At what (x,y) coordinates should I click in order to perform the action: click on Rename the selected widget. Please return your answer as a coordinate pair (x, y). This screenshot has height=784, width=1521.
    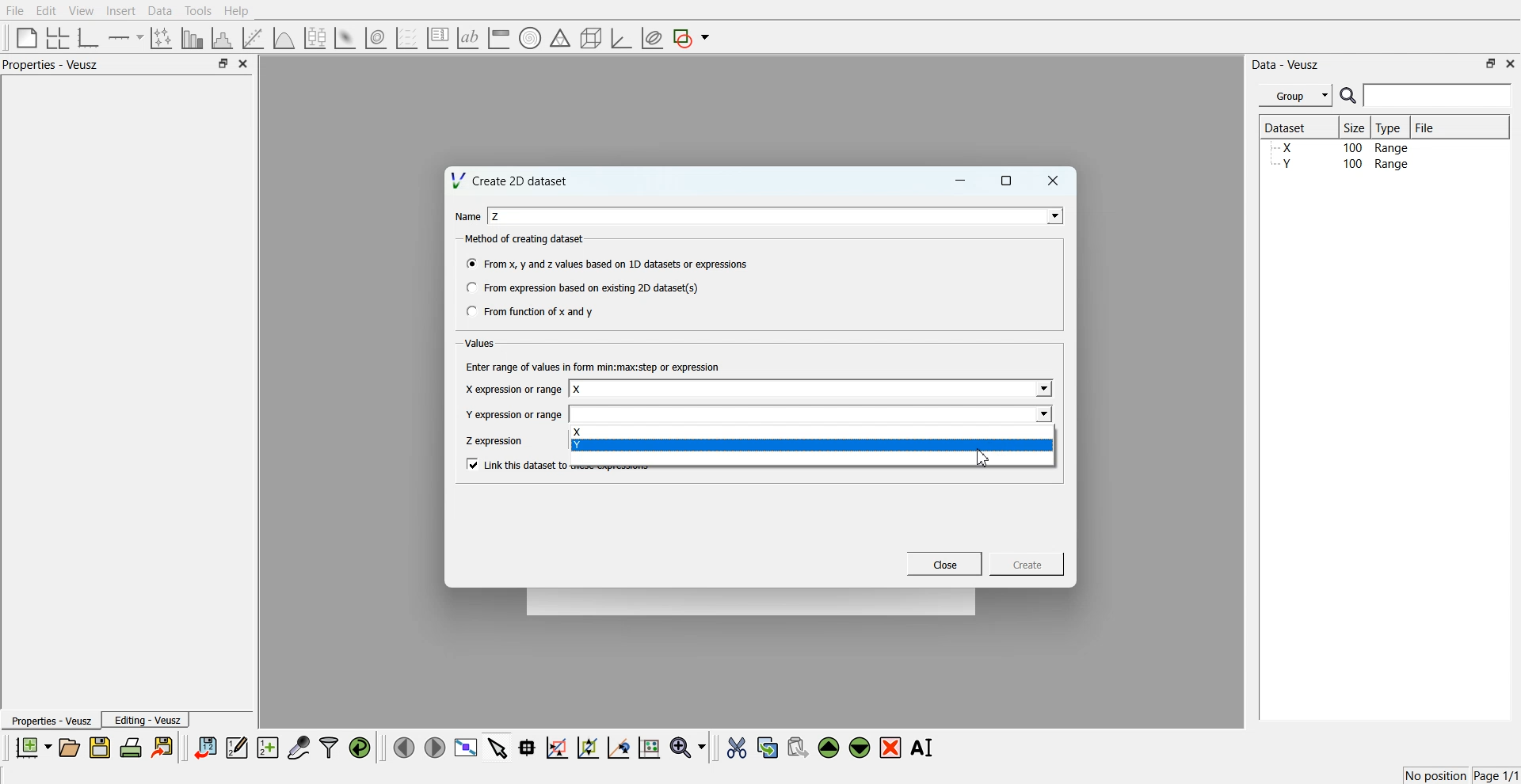
    Looking at the image, I should click on (924, 748).